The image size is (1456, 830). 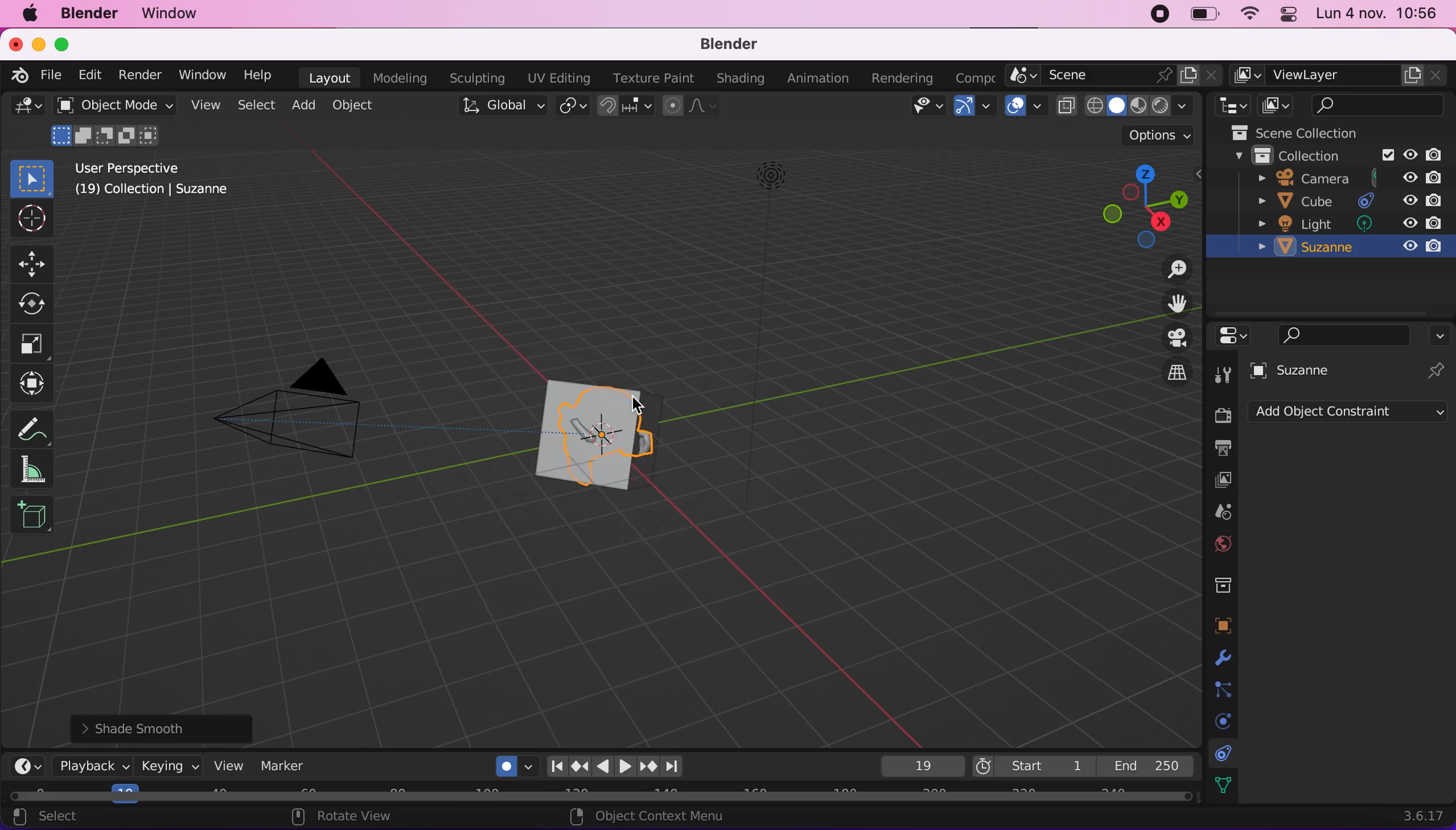 What do you see at coordinates (168, 167) in the screenshot?
I see `user perspective` at bounding box center [168, 167].